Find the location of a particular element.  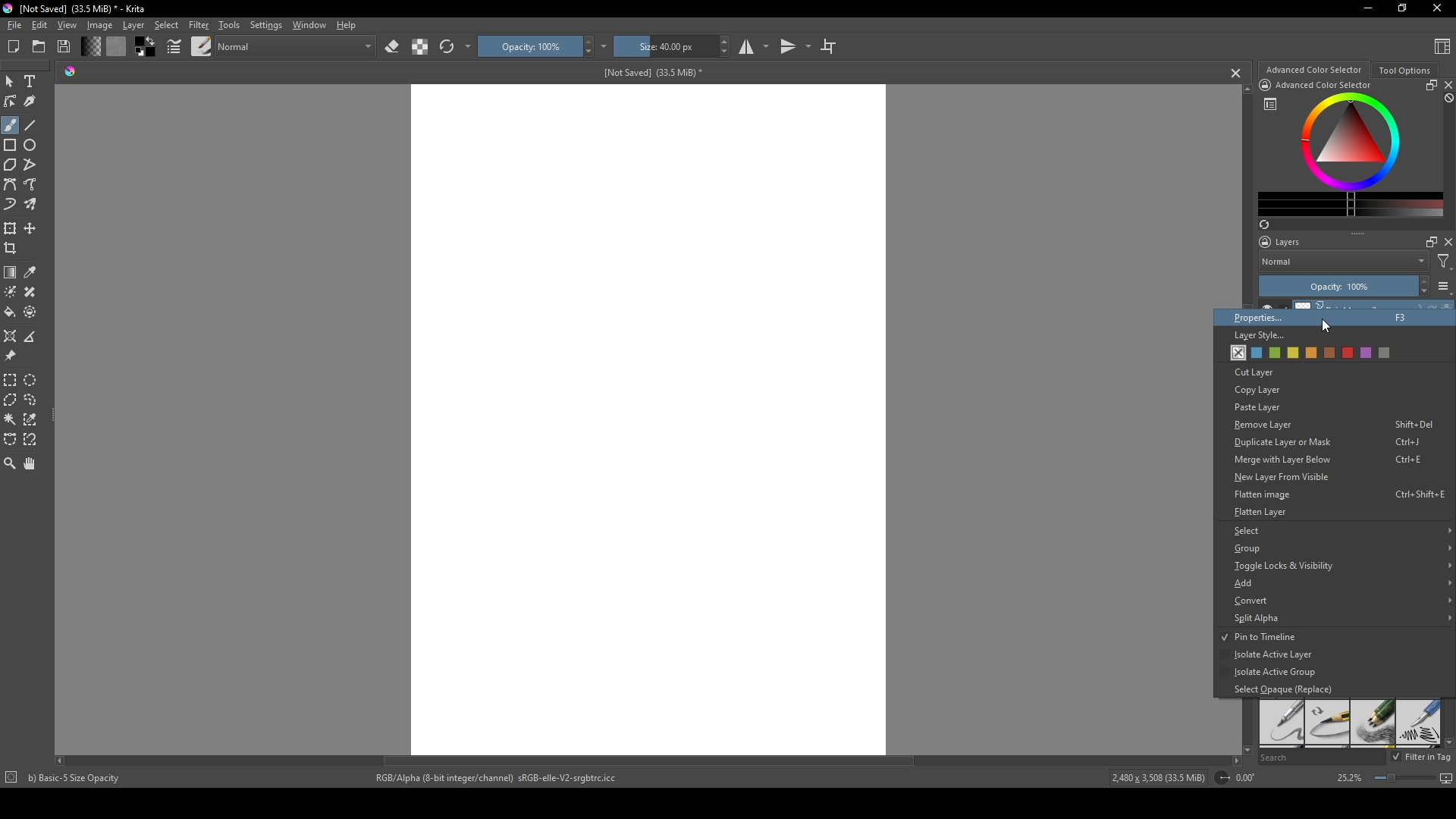

Select Opaque (Replace) is located at coordinates (1282, 689).